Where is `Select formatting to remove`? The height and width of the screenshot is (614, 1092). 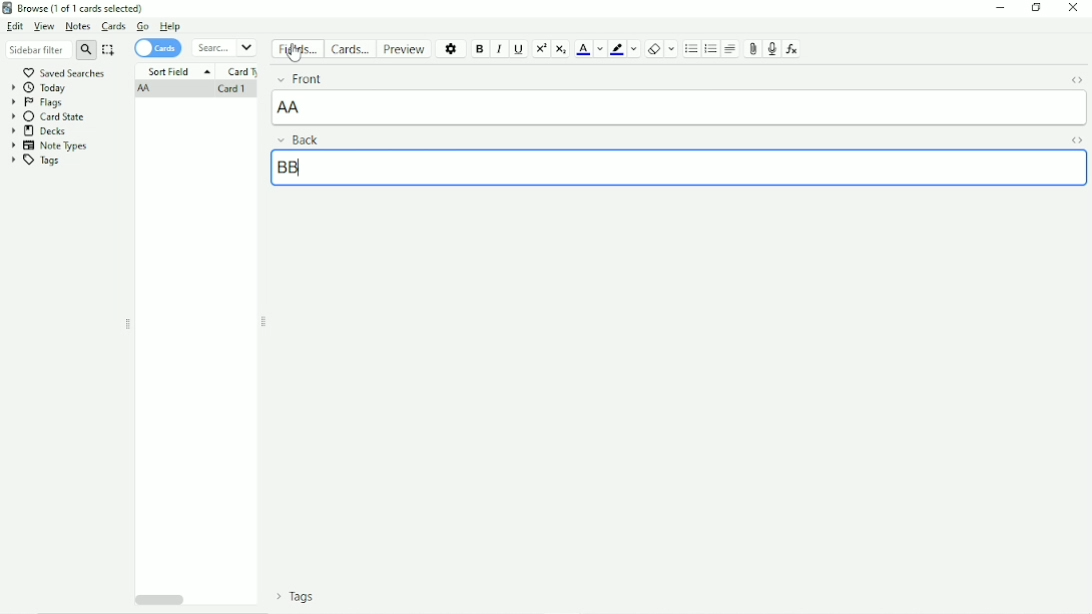 Select formatting to remove is located at coordinates (672, 48).